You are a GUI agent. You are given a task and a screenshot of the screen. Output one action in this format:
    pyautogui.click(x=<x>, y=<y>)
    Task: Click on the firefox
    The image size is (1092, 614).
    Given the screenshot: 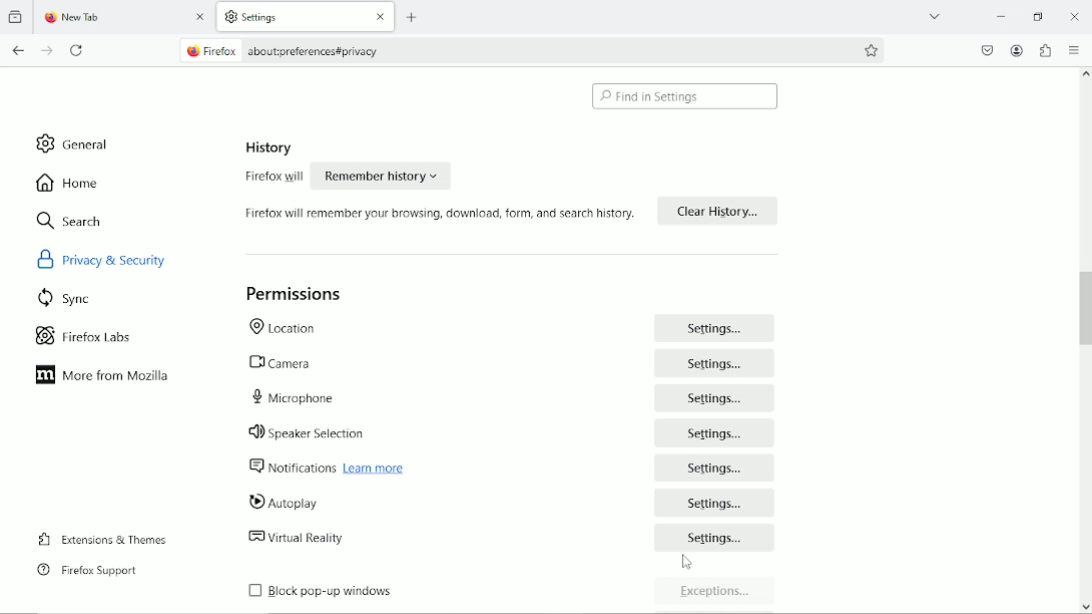 What is the action you would take?
    pyautogui.click(x=224, y=52)
    